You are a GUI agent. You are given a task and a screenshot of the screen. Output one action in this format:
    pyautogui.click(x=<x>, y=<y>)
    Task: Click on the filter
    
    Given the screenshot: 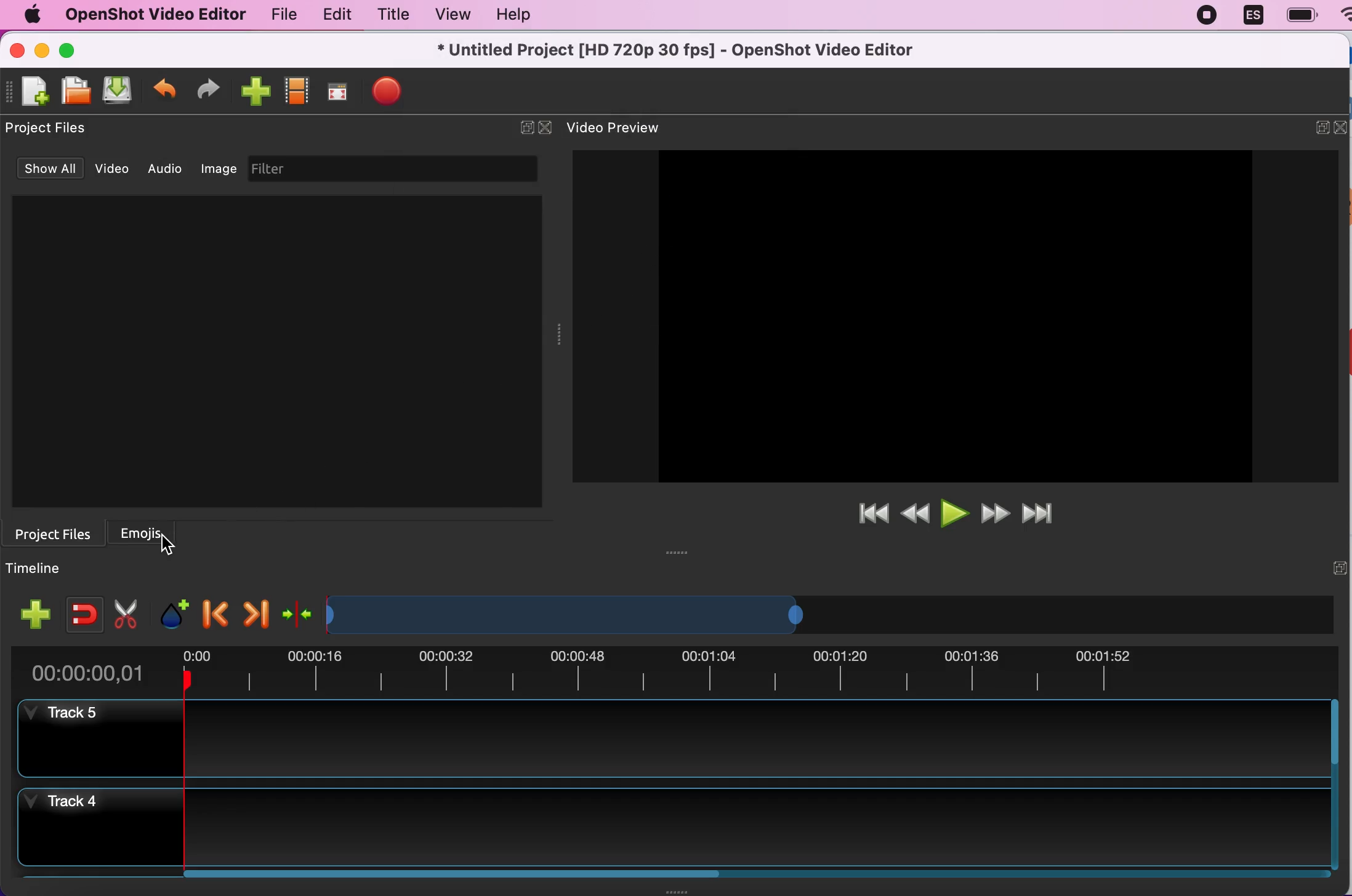 What is the action you would take?
    pyautogui.click(x=396, y=169)
    